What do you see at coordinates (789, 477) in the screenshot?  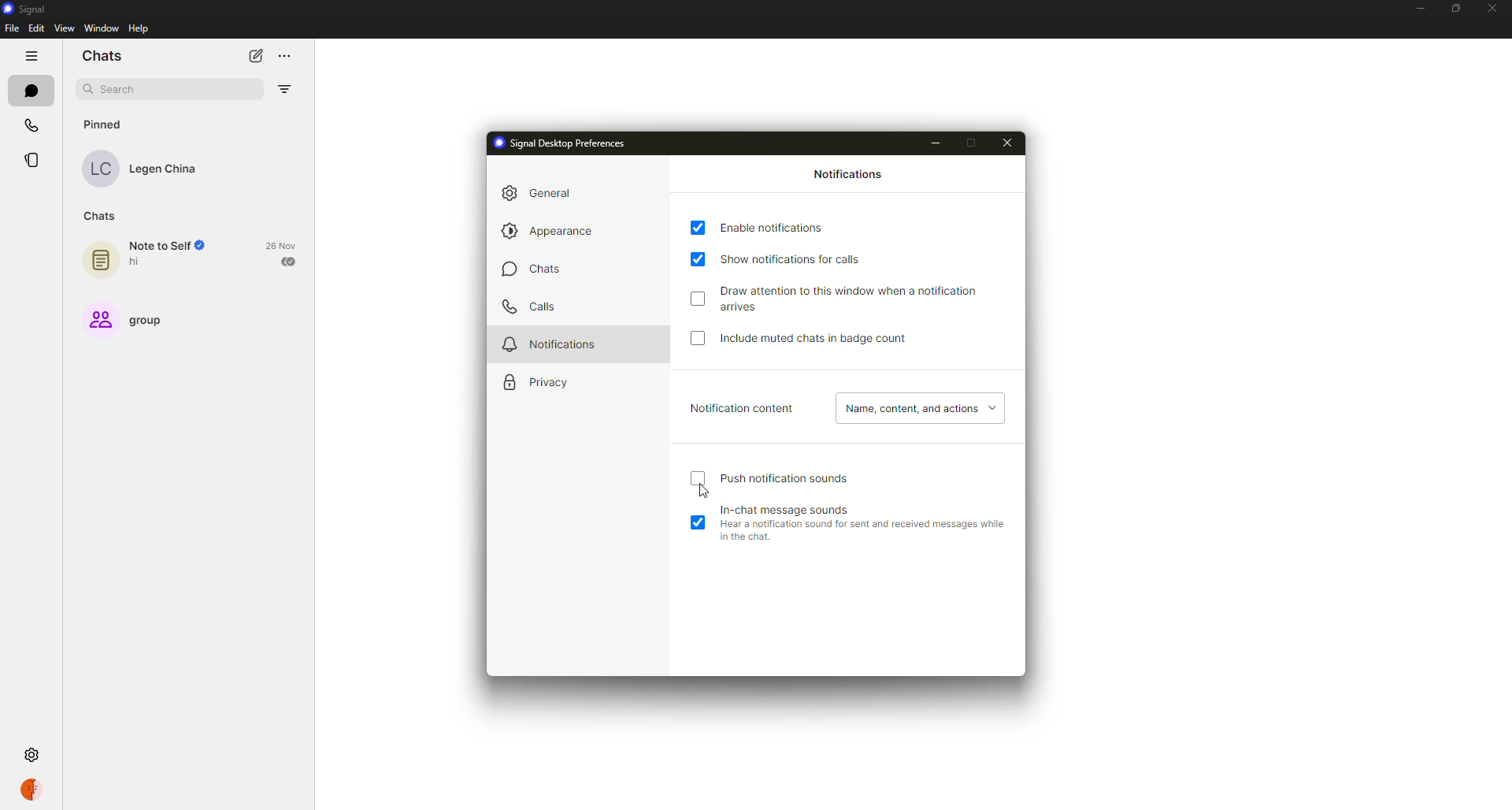 I see `push notification sound` at bounding box center [789, 477].